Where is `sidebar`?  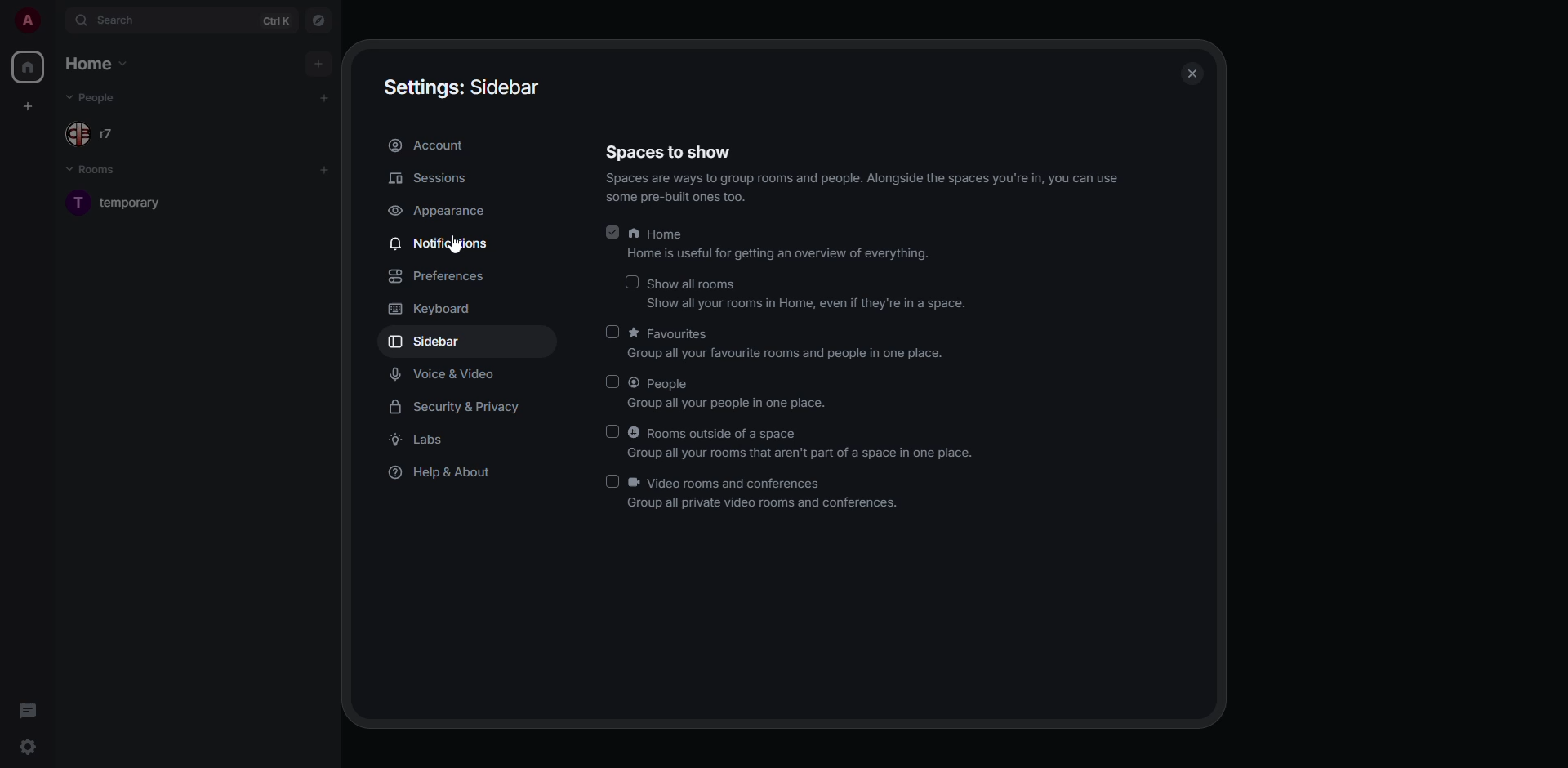 sidebar is located at coordinates (429, 342).